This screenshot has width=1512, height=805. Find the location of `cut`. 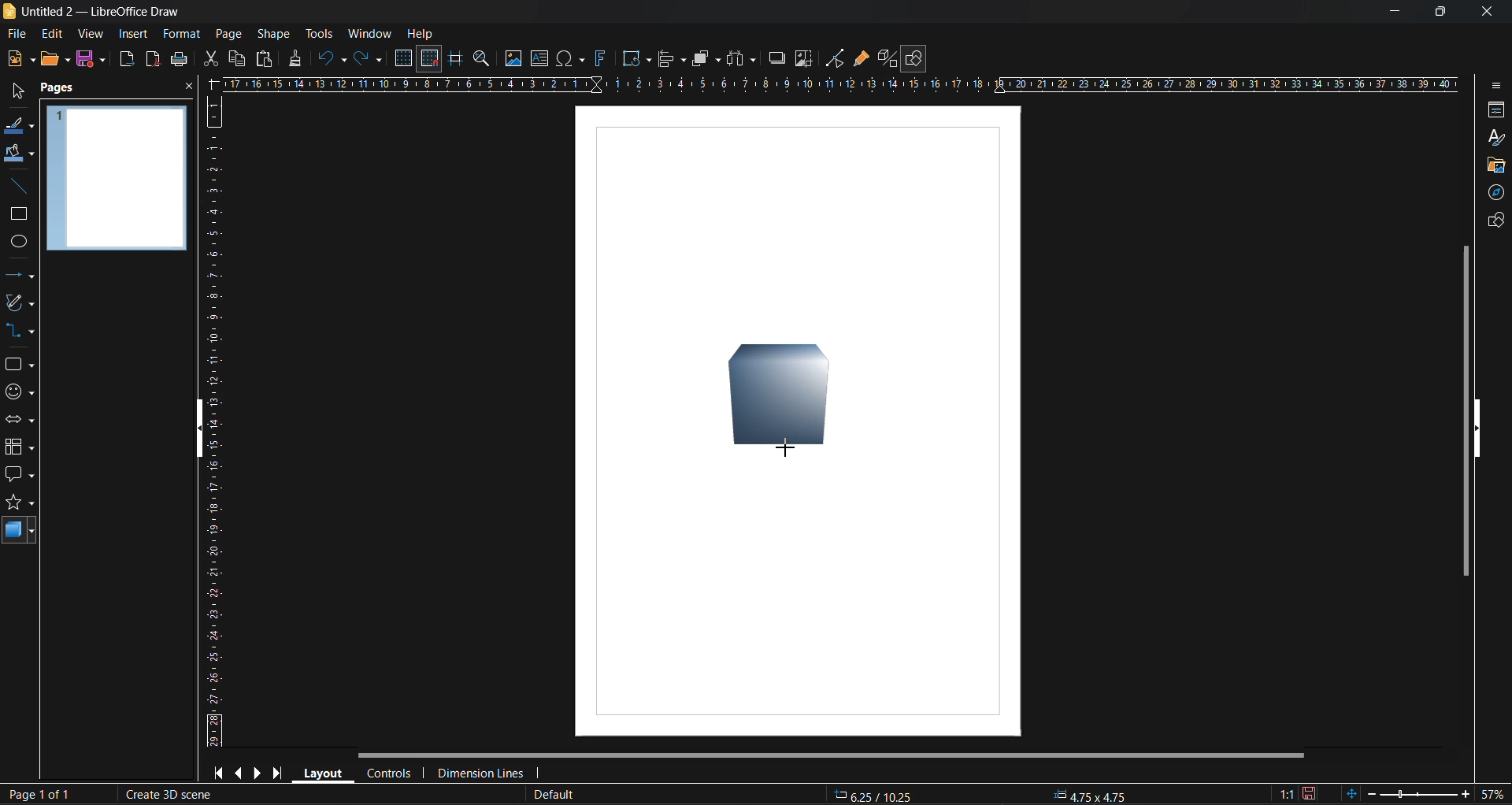

cut is located at coordinates (213, 60).